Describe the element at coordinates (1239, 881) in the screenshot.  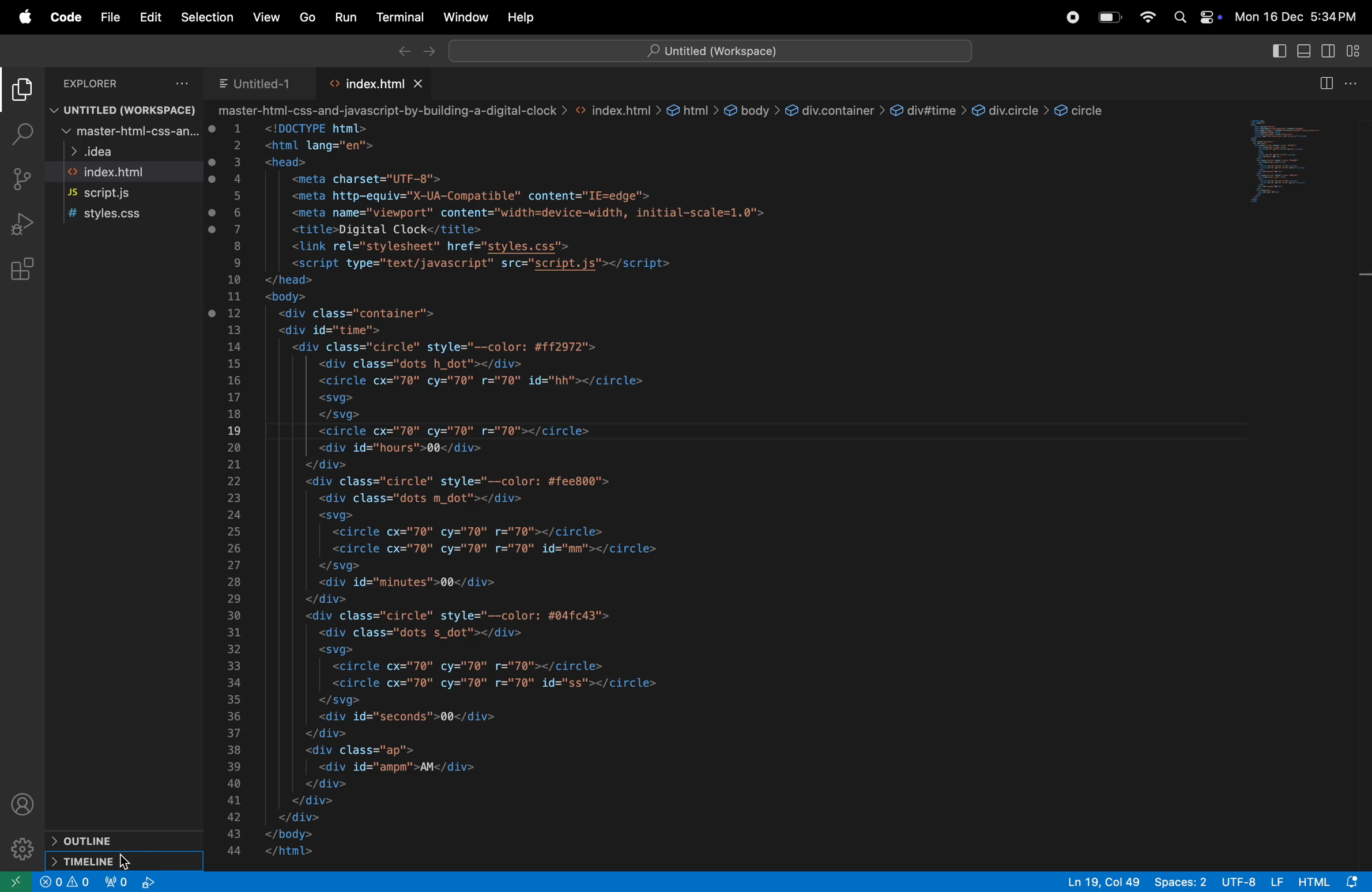
I see `utf -8` at that location.